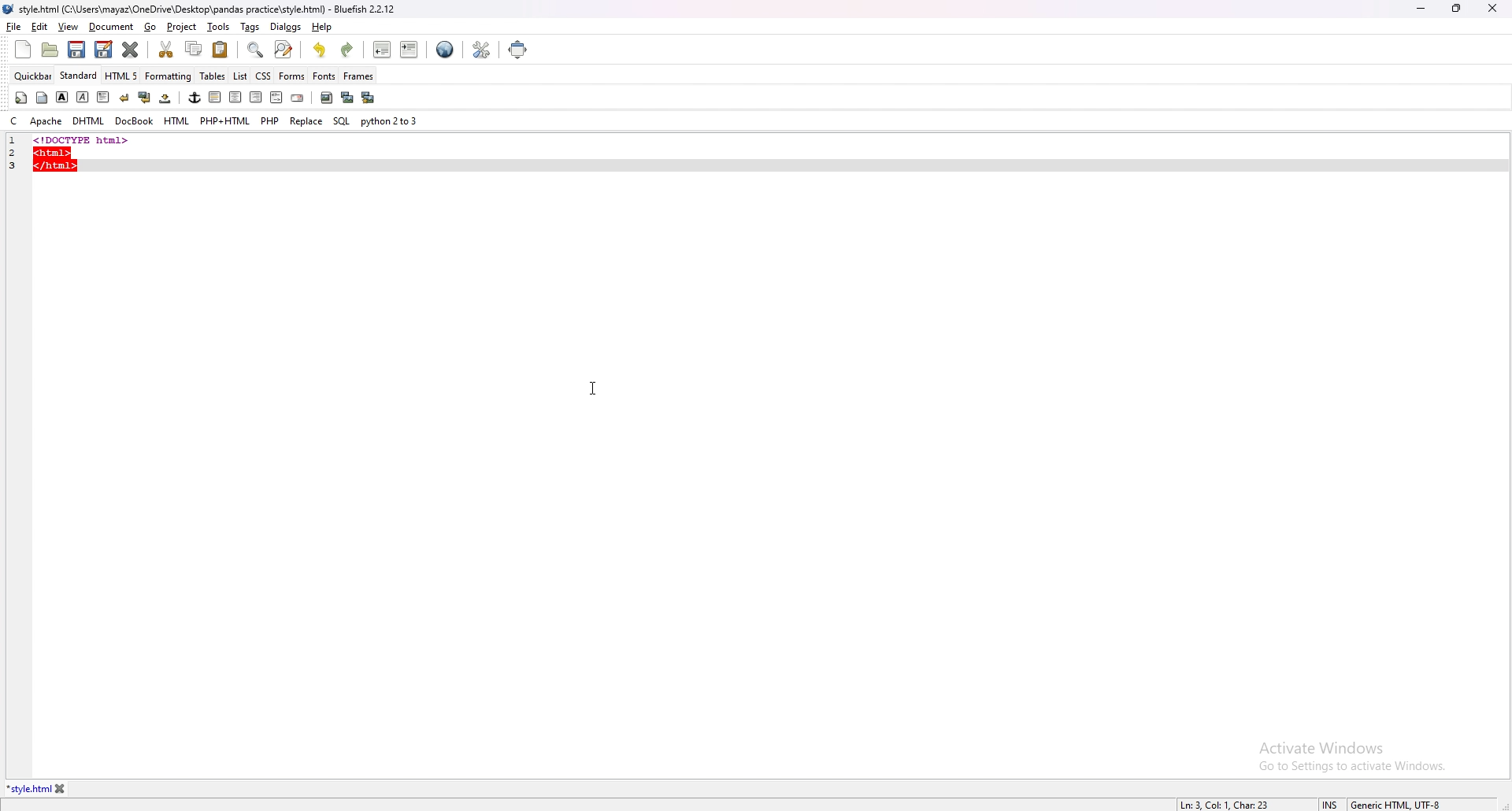 This screenshot has height=811, width=1512. Describe the element at coordinates (254, 97) in the screenshot. I see `right indent` at that location.